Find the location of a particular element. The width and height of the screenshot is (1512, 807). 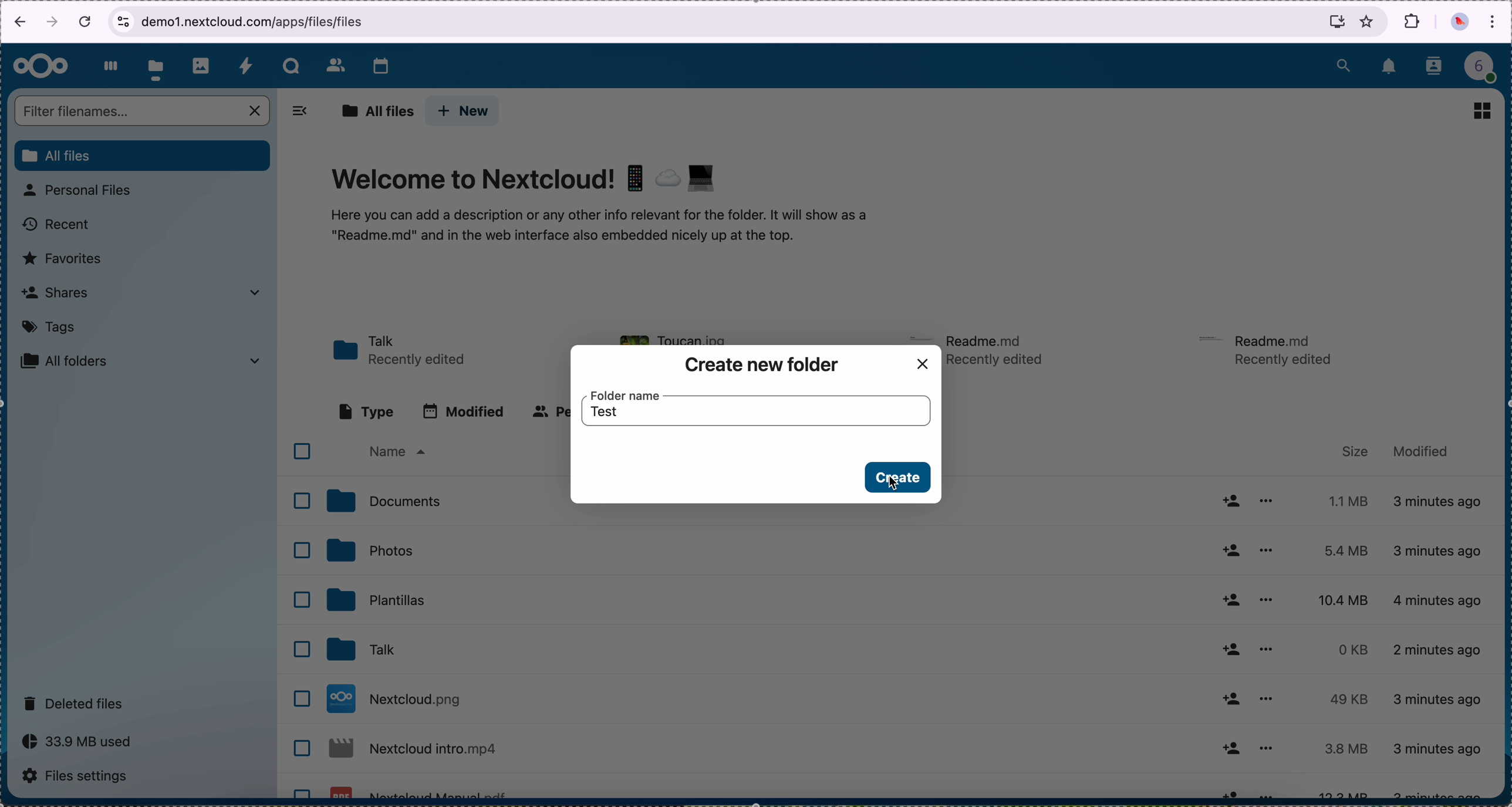

talk is located at coordinates (358, 650).